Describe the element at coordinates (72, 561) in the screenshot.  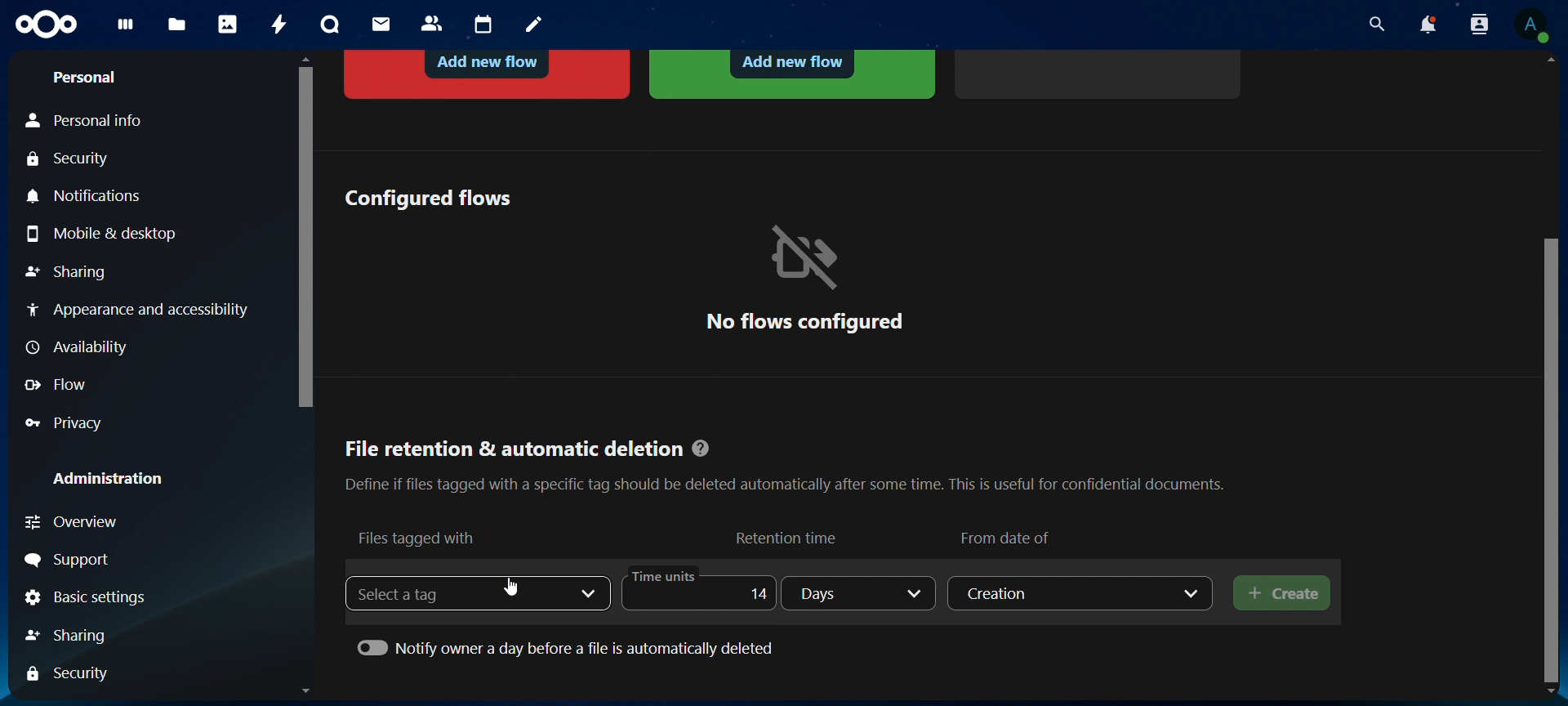
I see `support` at that location.